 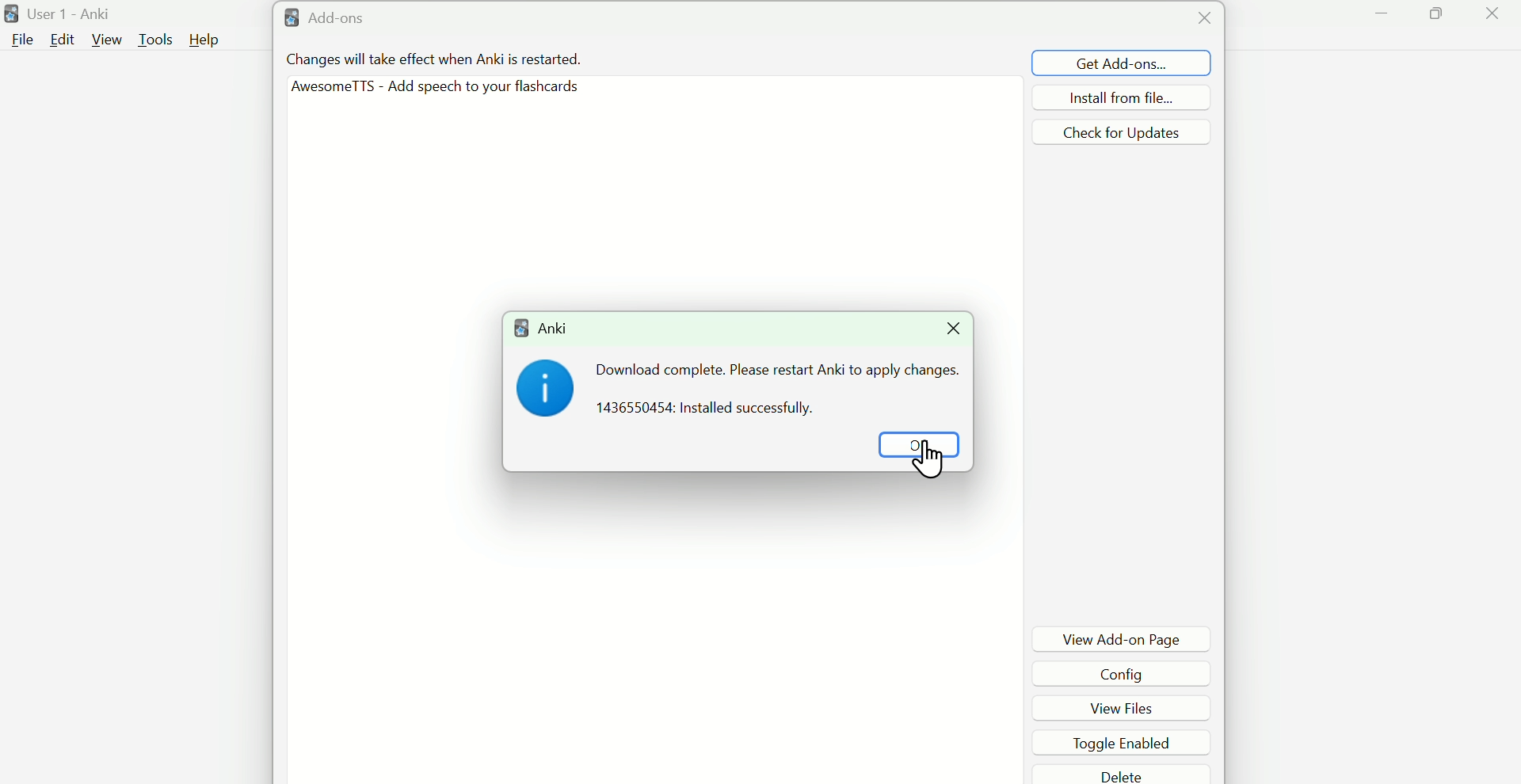 What do you see at coordinates (780, 368) in the screenshot?
I see `Download complete please restart ANKI to apply changes` at bounding box center [780, 368].